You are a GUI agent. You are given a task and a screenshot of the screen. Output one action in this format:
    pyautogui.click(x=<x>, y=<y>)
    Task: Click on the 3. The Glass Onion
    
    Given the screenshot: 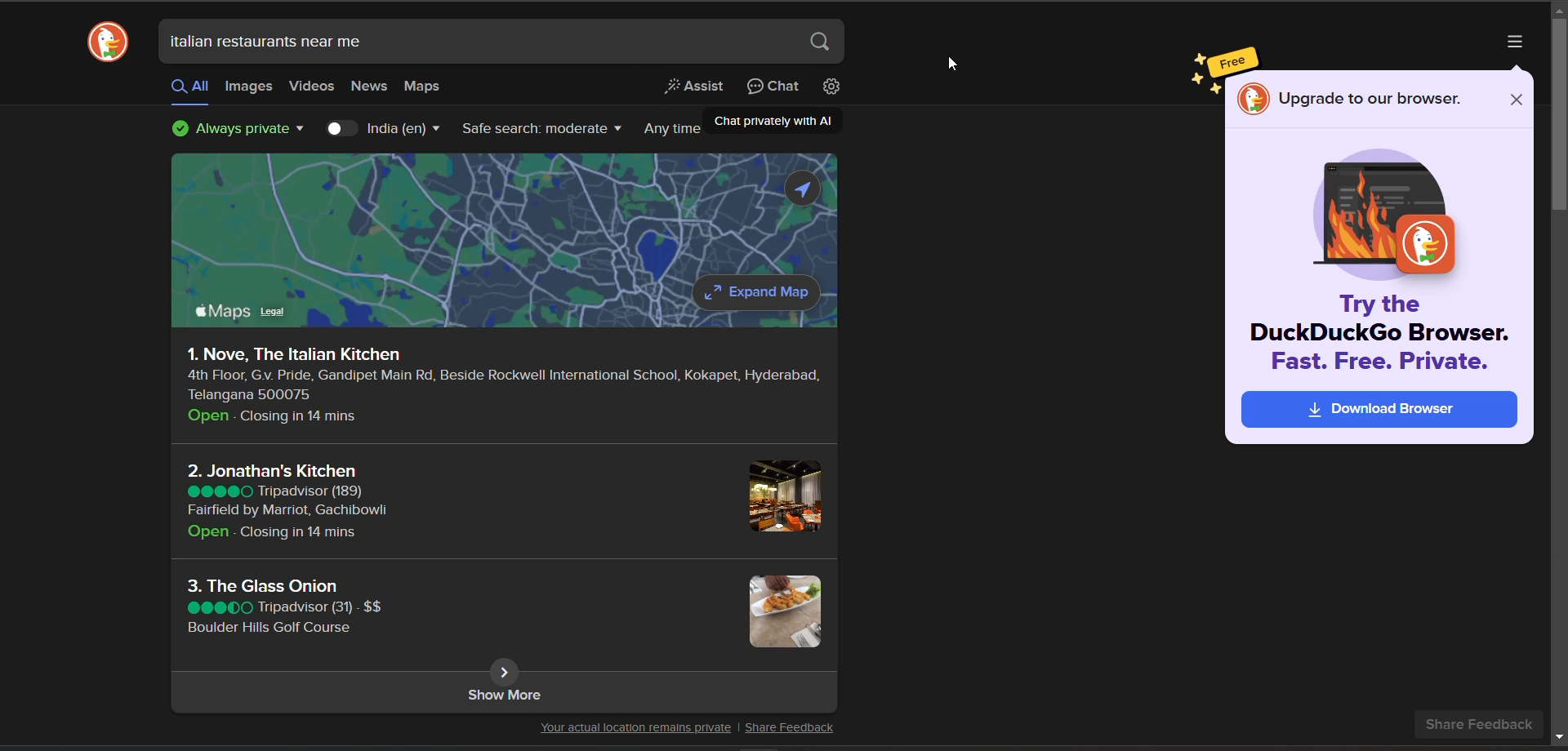 What is the action you would take?
    pyautogui.click(x=262, y=586)
    